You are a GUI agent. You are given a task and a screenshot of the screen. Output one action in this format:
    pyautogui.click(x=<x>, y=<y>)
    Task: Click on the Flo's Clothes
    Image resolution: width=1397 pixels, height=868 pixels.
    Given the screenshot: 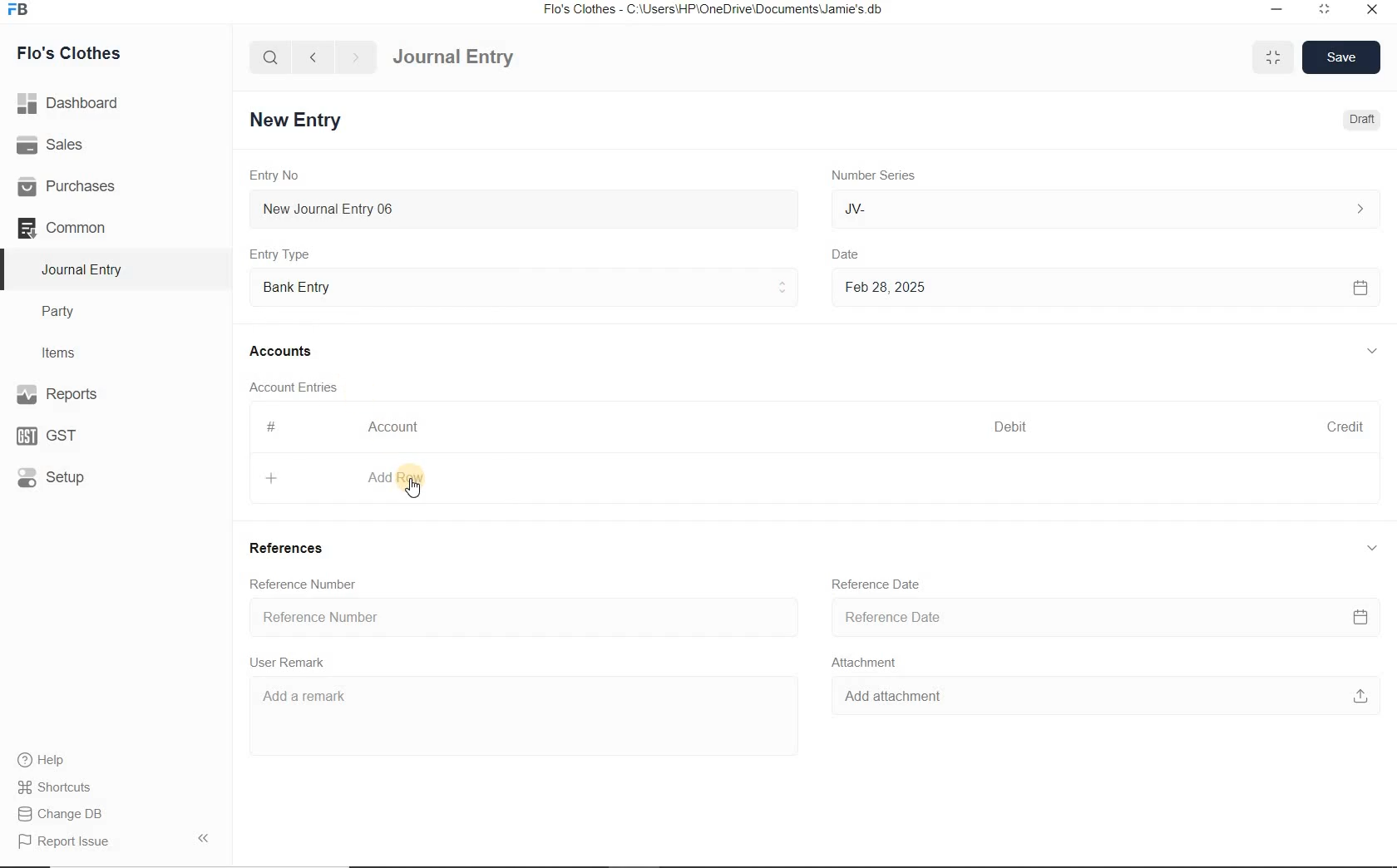 What is the action you would take?
    pyautogui.click(x=81, y=53)
    